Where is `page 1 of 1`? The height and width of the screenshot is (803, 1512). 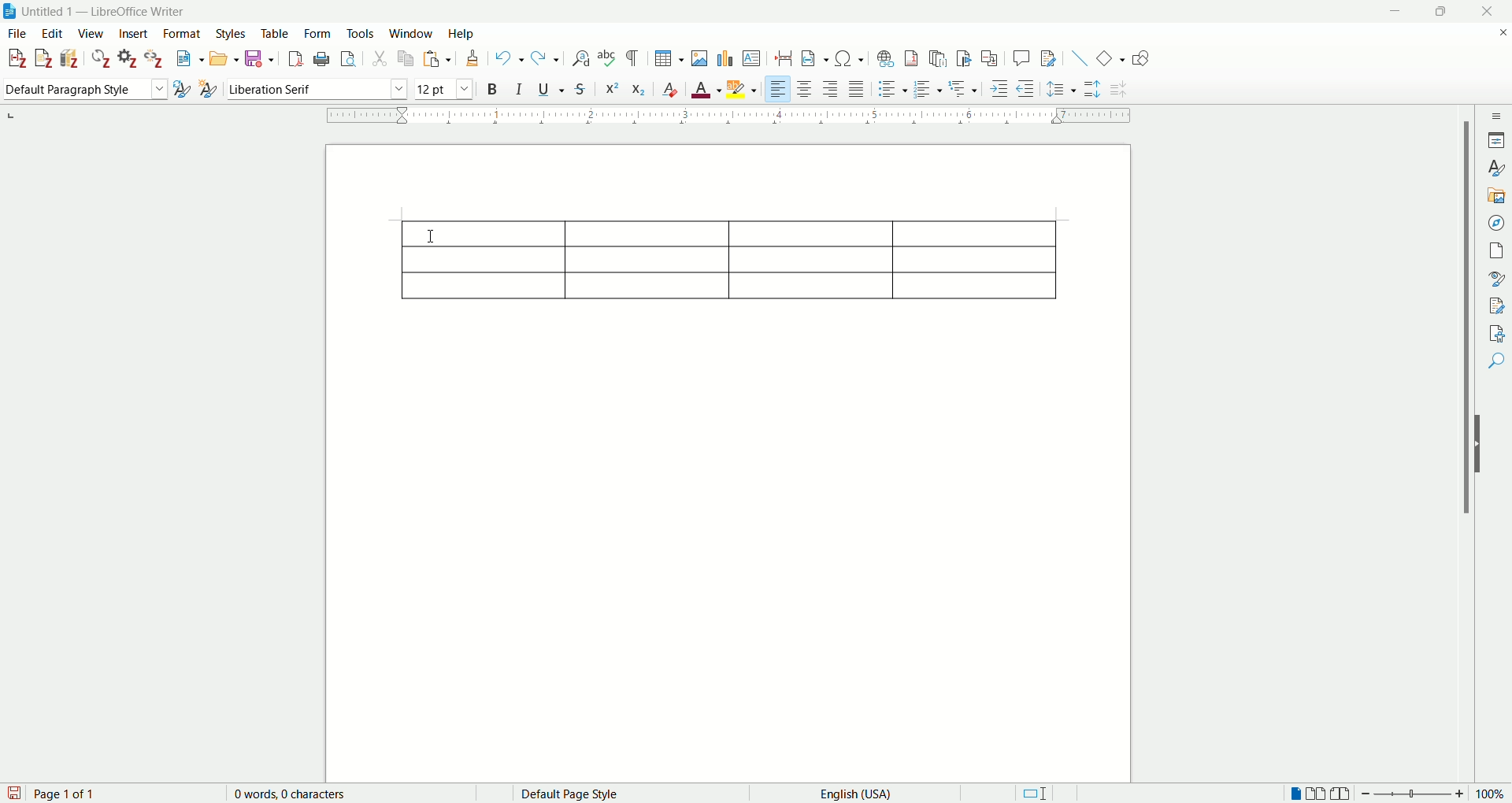 page 1 of 1 is located at coordinates (80, 794).